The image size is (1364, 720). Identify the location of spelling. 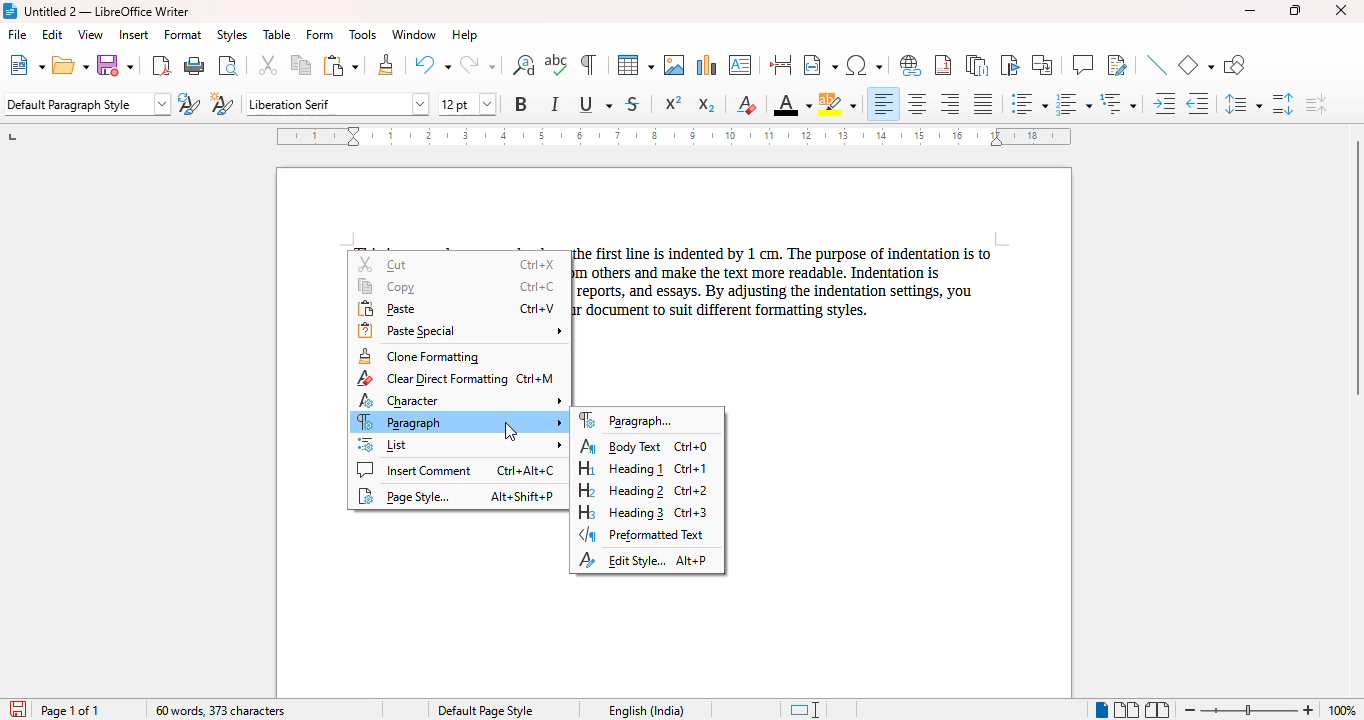
(557, 65).